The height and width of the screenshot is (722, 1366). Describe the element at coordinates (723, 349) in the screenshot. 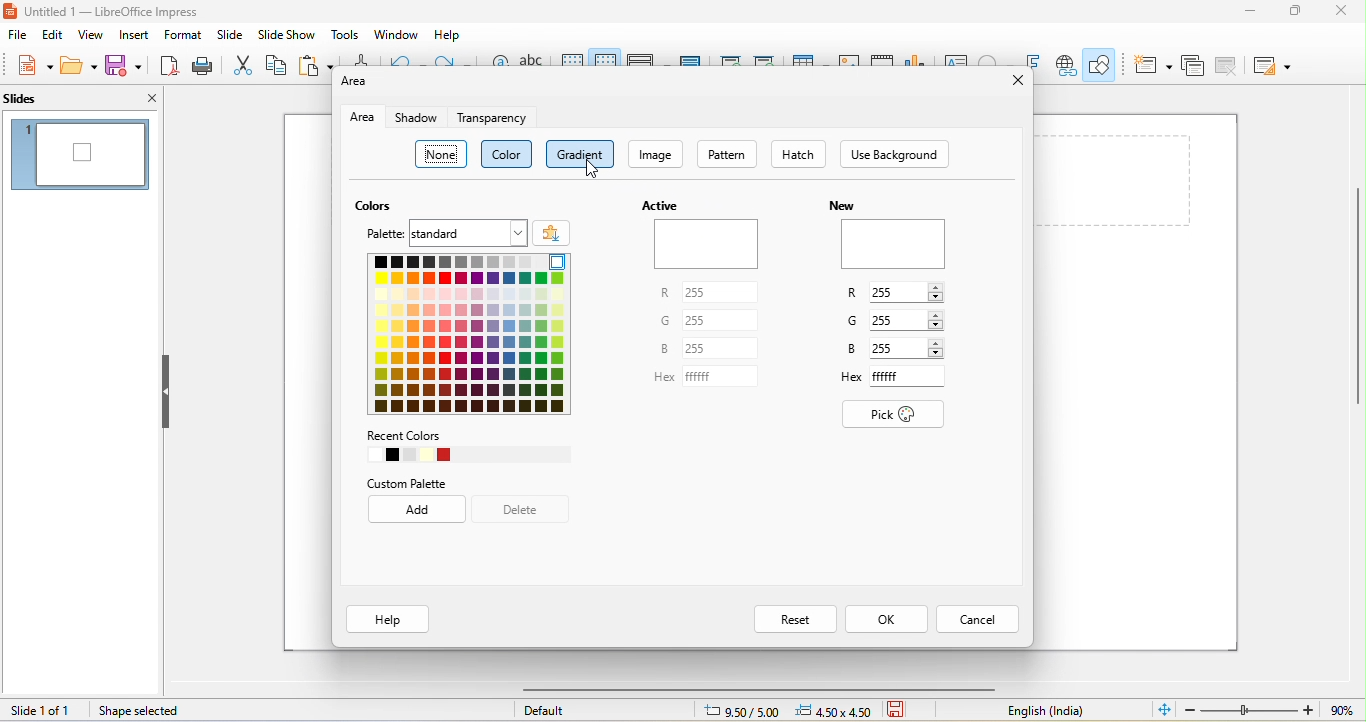

I see `255` at that location.